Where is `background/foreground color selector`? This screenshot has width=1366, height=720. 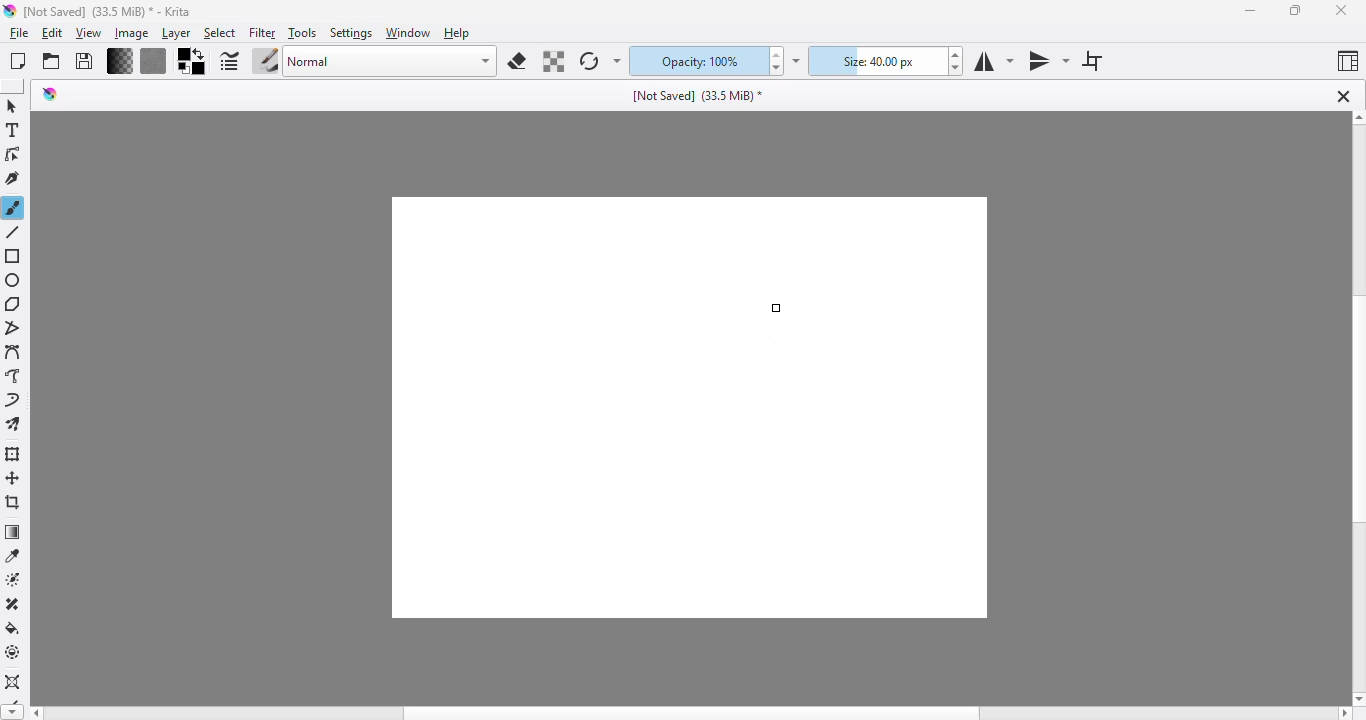
background/foreground color selector is located at coordinates (193, 61).